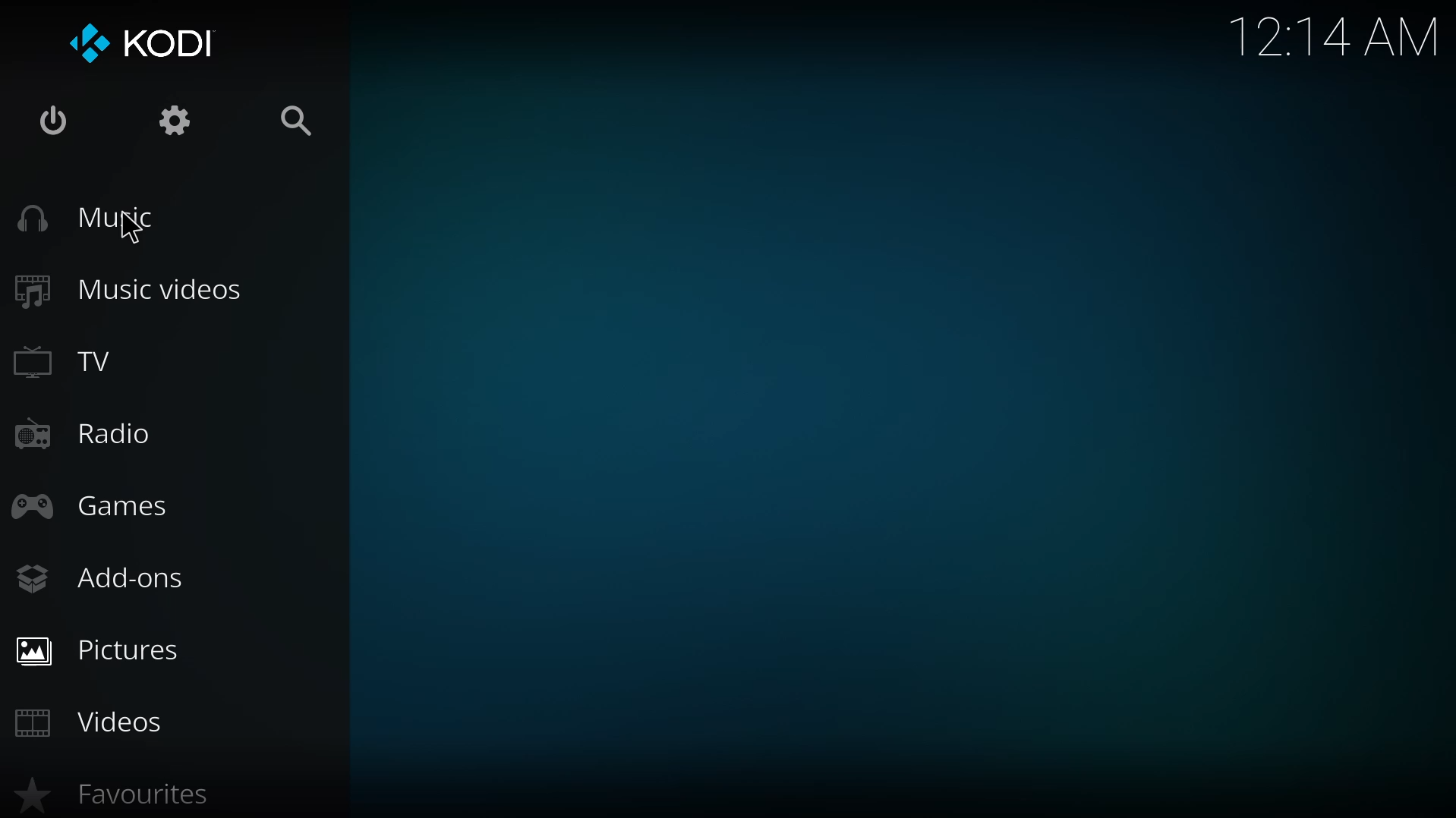 Image resolution: width=1456 pixels, height=818 pixels. What do you see at coordinates (53, 116) in the screenshot?
I see `power` at bounding box center [53, 116].